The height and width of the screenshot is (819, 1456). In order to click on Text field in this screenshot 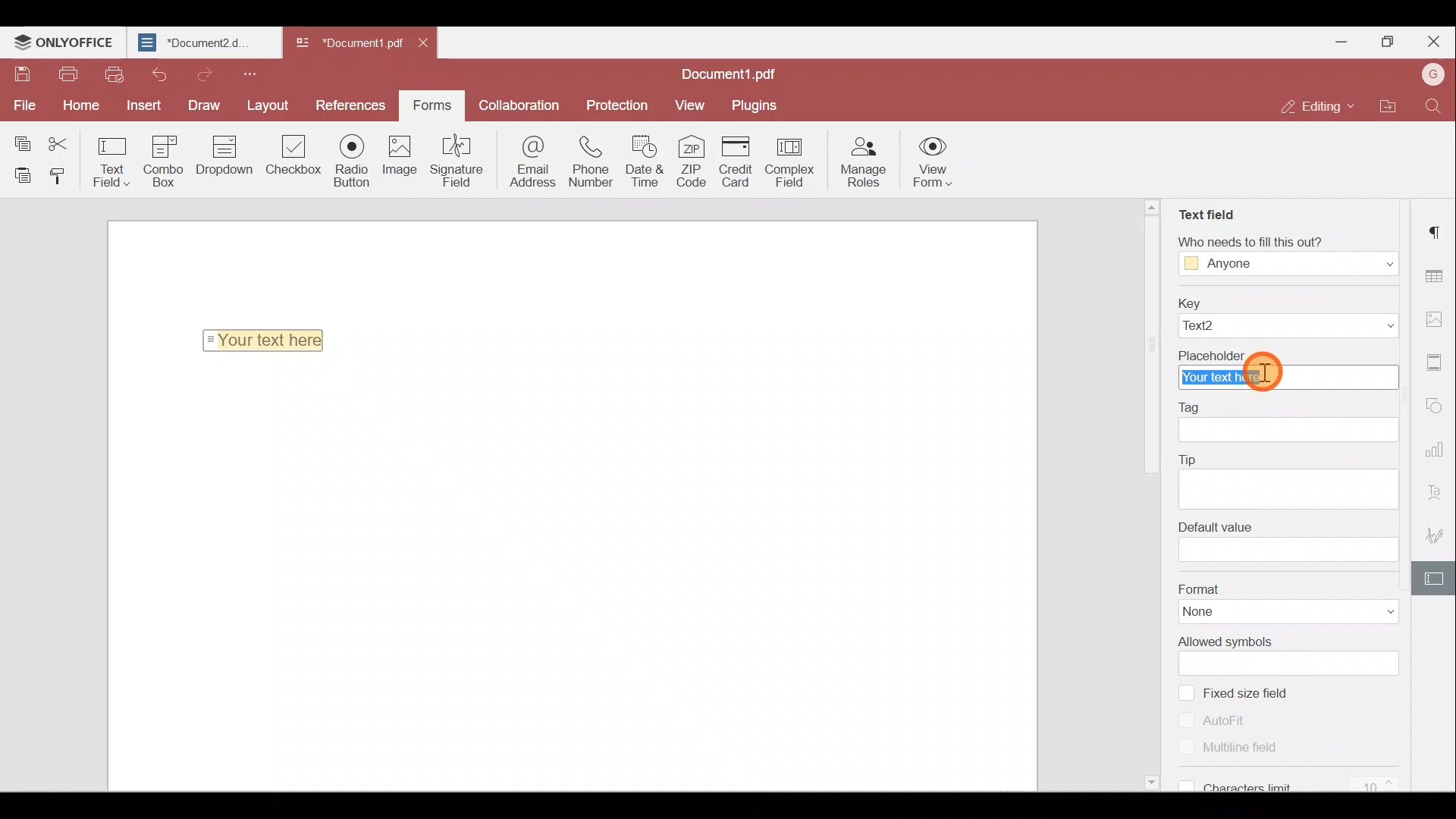, I will do `click(112, 161)`.